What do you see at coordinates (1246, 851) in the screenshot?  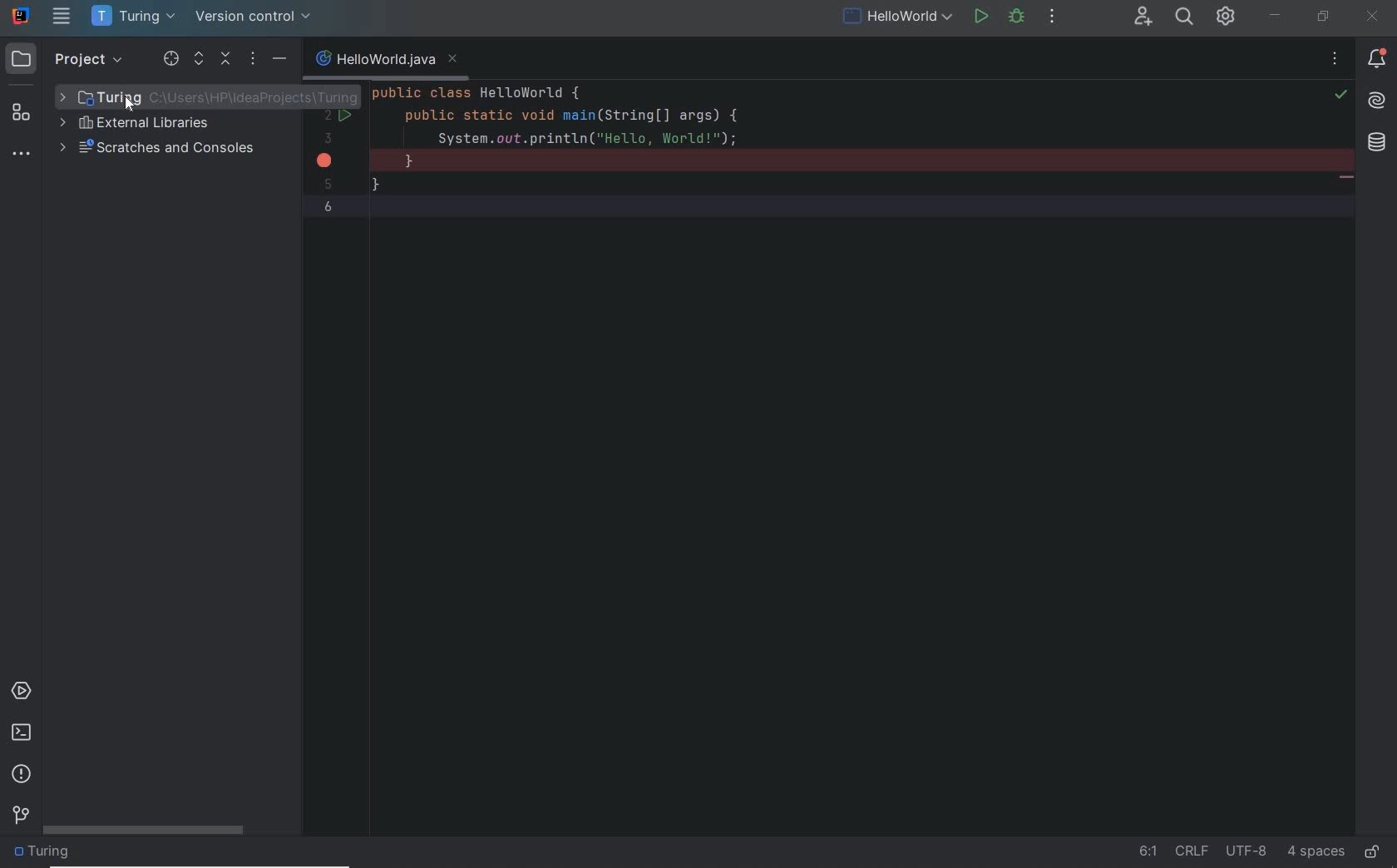 I see `file encoding` at bounding box center [1246, 851].